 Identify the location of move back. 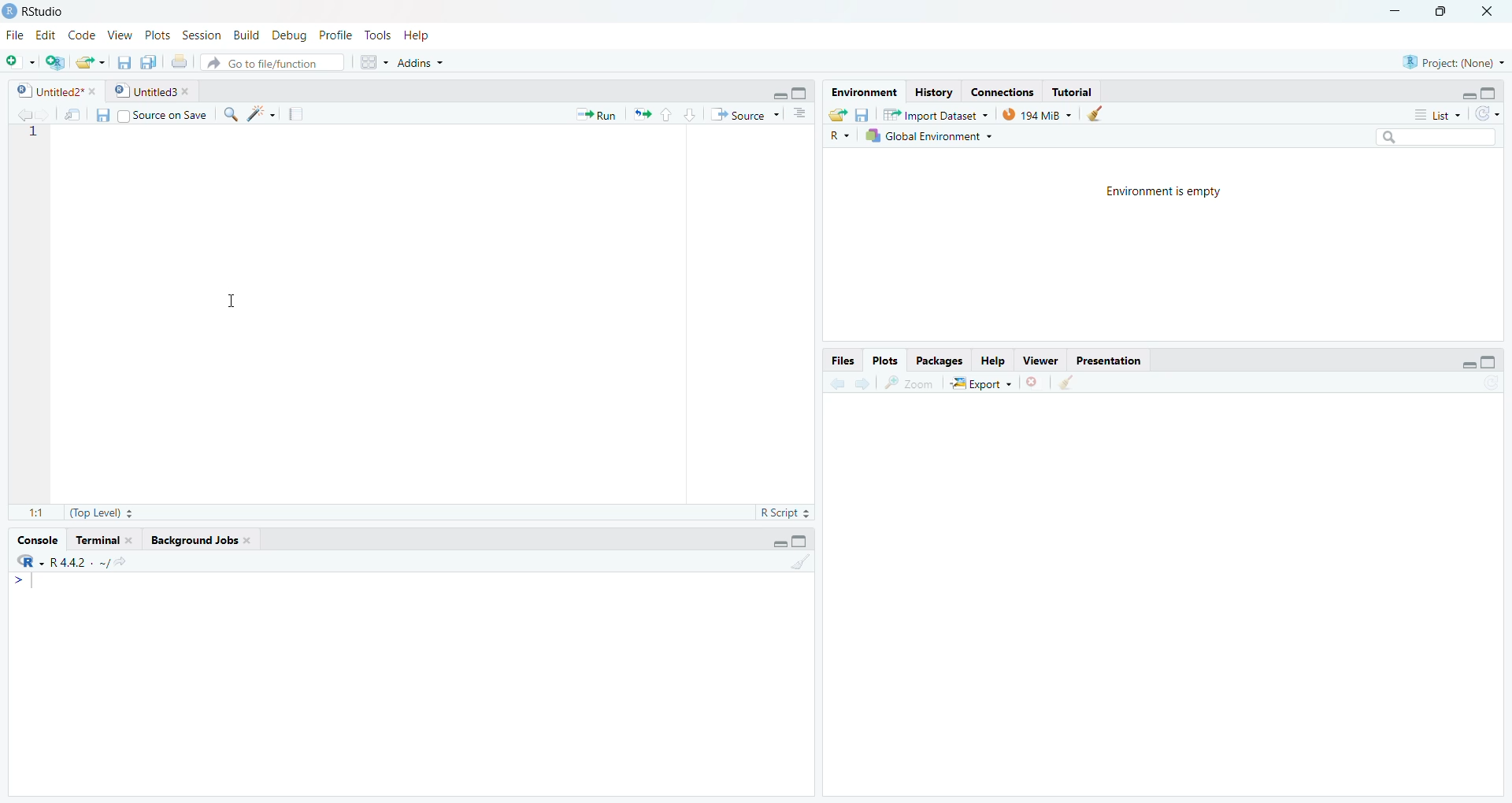
(839, 383).